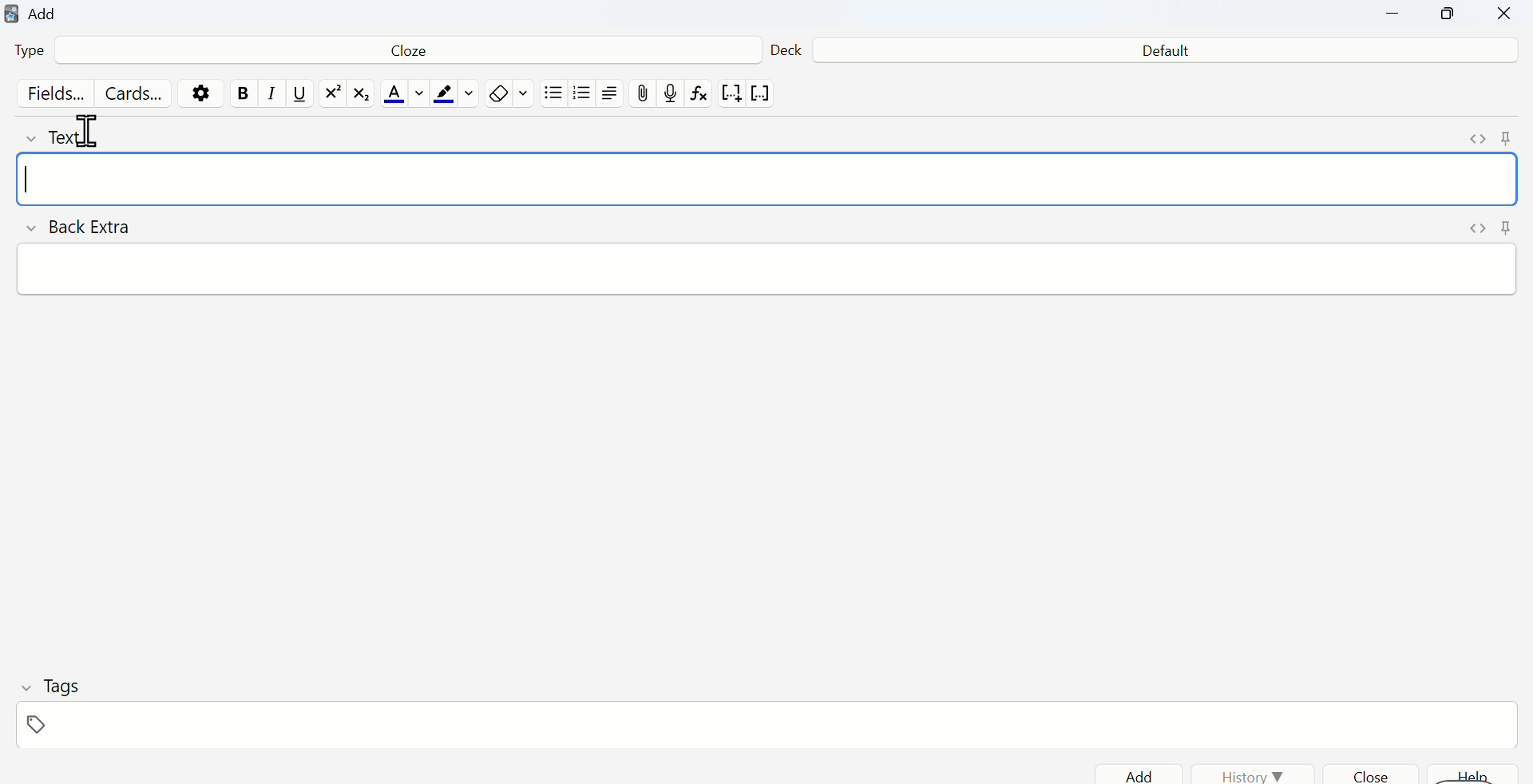  Describe the element at coordinates (91, 131) in the screenshot. I see `Cursor` at that location.